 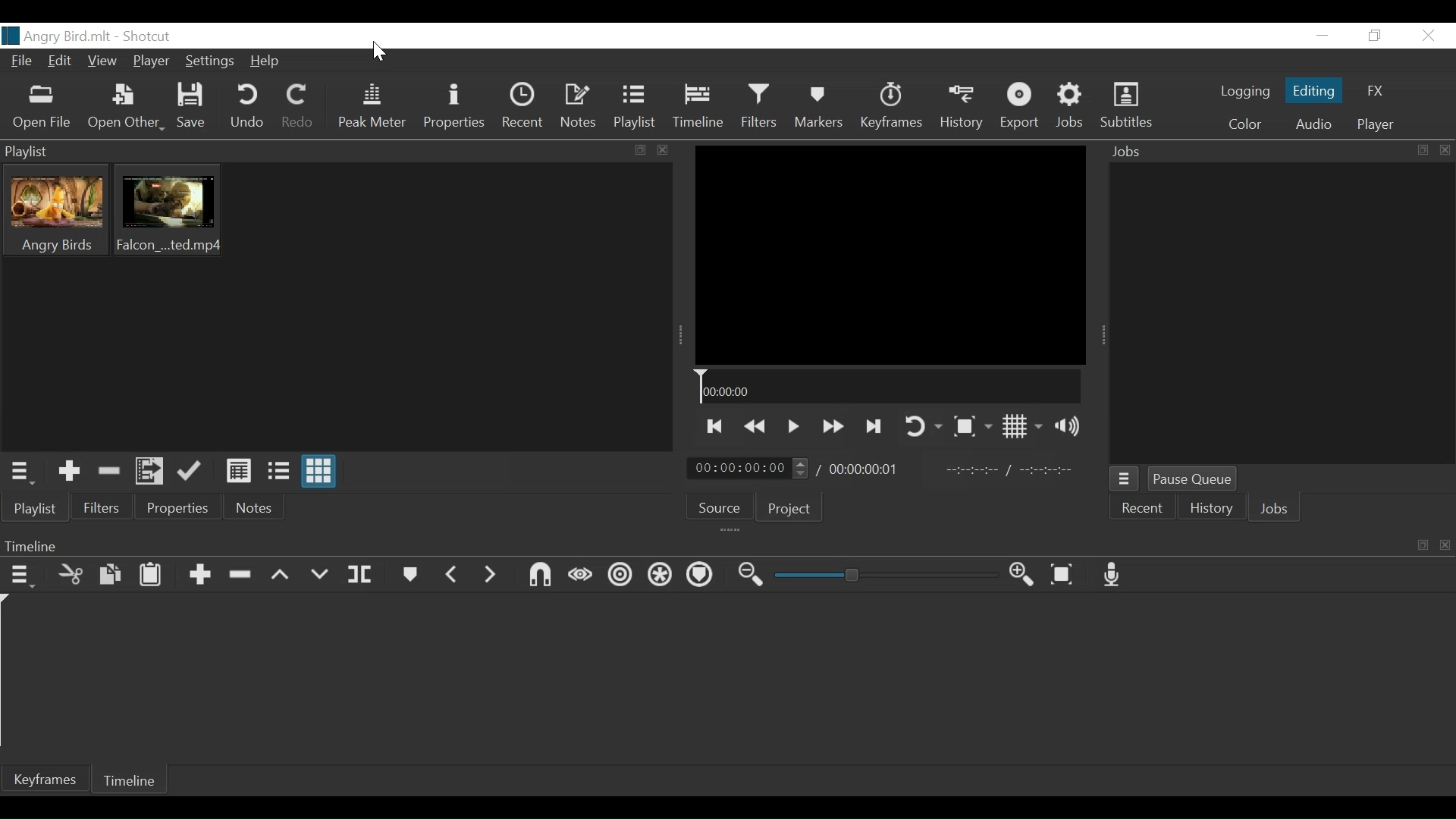 What do you see at coordinates (959, 105) in the screenshot?
I see `History` at bounding box center [959, 105].